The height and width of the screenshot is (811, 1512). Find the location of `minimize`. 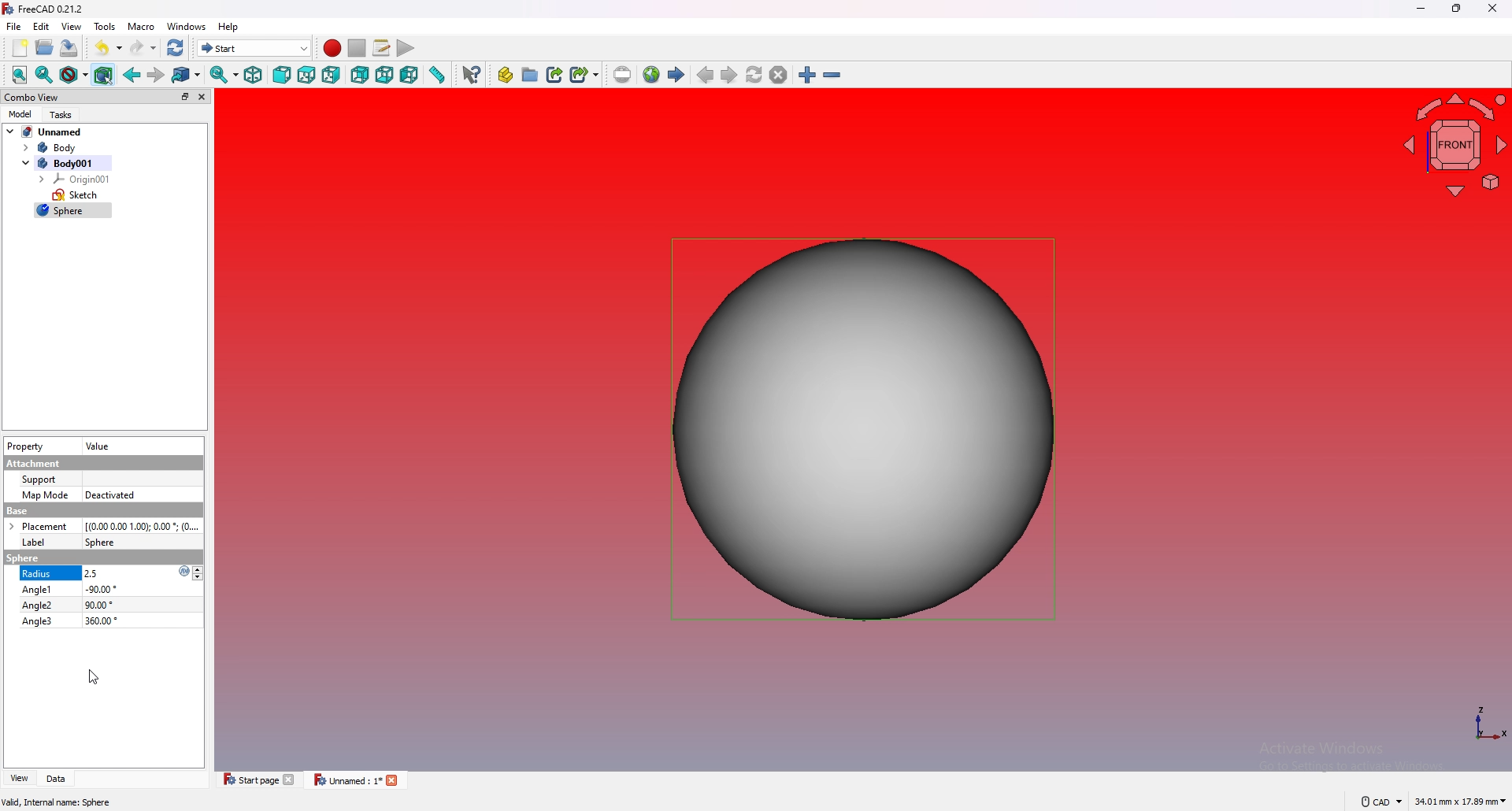

minimize is located at coordinates (1421, 9).